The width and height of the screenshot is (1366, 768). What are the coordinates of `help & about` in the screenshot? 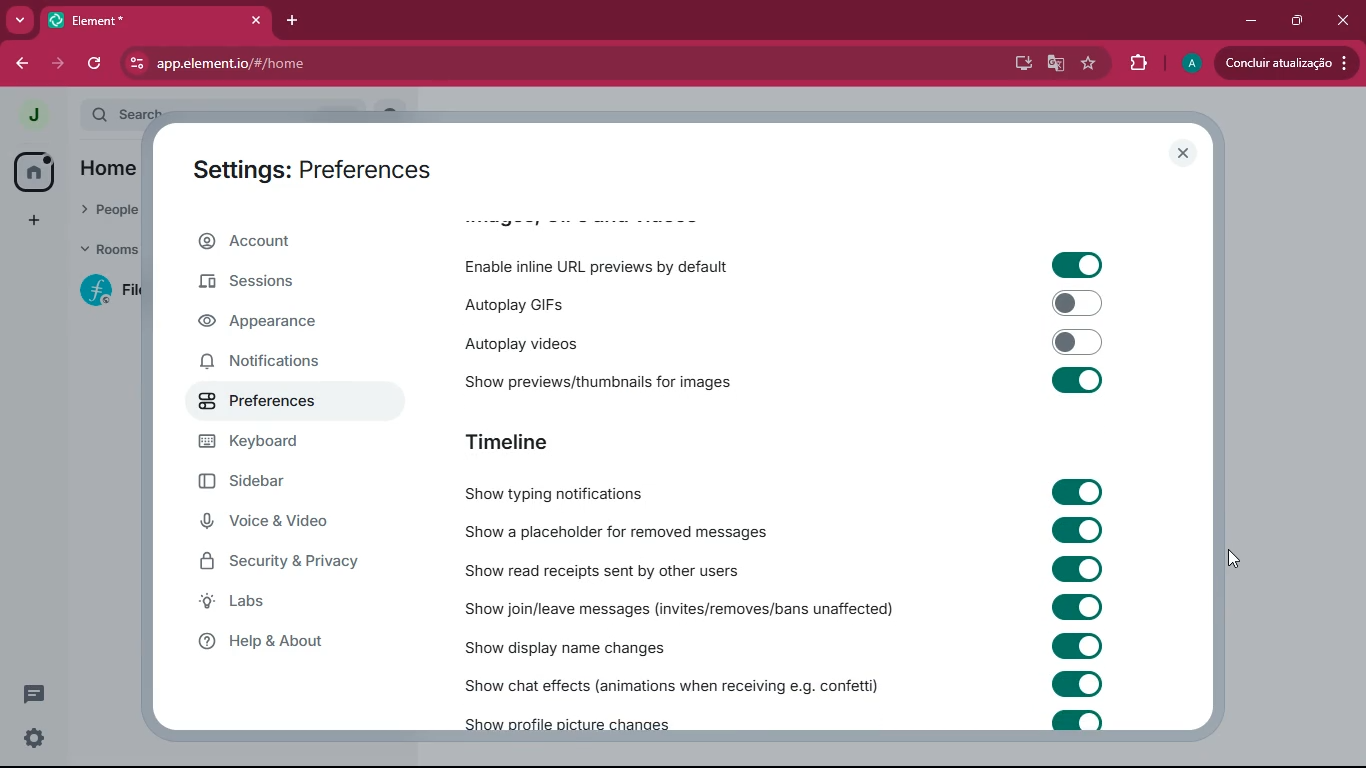 It's located at (270, 642).